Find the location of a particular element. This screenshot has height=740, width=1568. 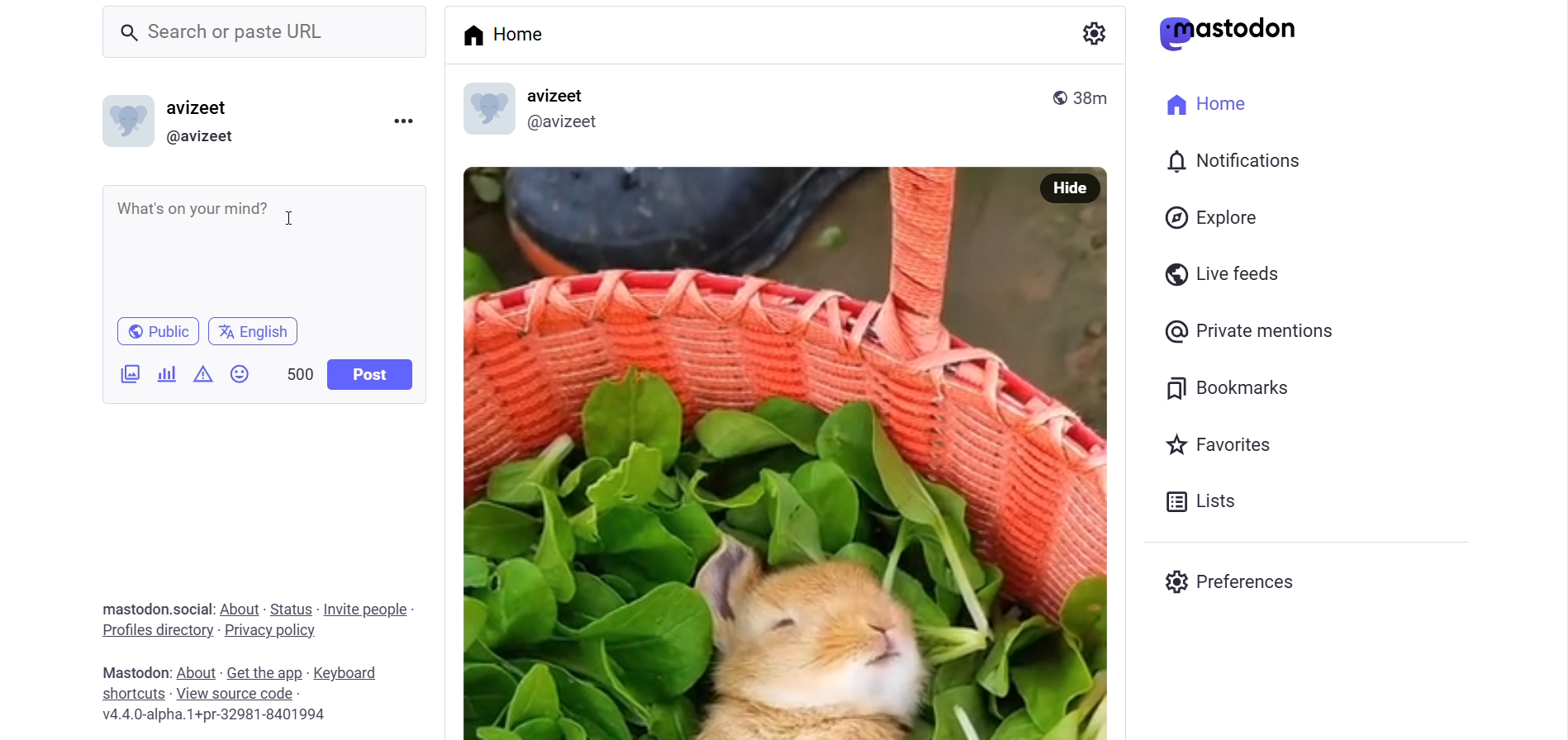

@avizeet is located at coordinates (207, 137).